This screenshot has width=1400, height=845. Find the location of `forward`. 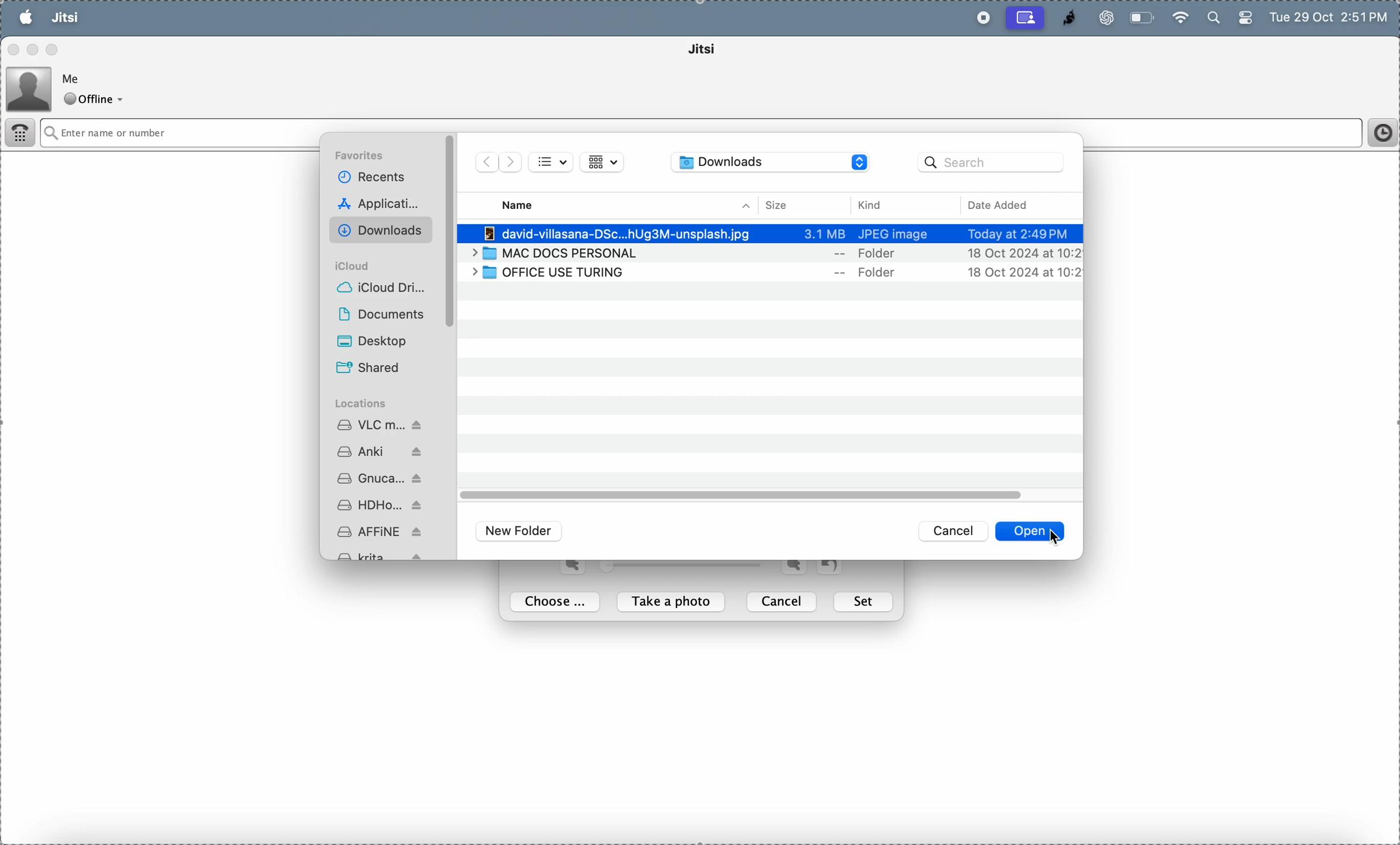

forward is located at coordinates (486, 162).